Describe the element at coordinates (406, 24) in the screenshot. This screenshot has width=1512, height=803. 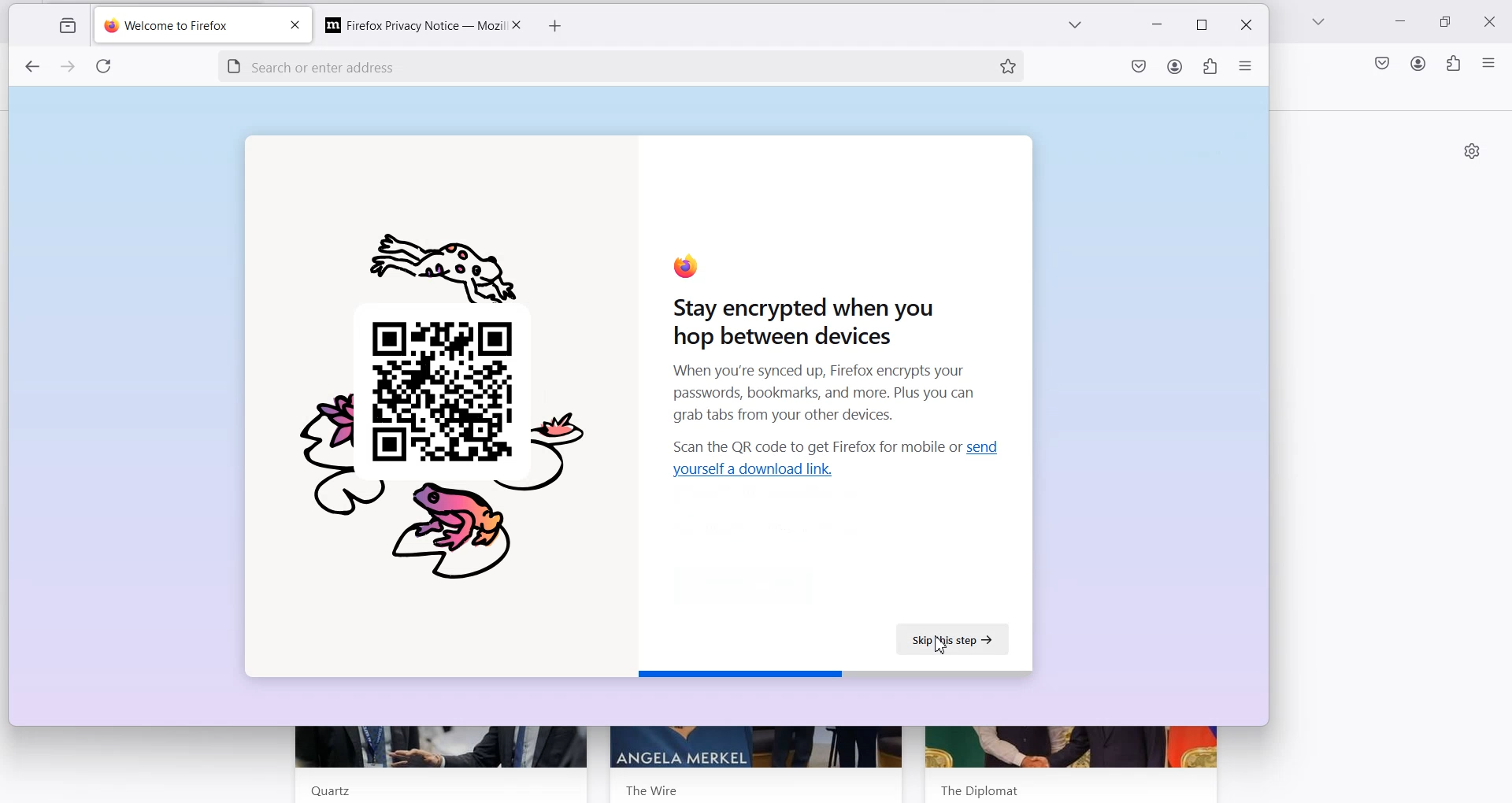
I see `Firefox Privacy Notice` at that location.